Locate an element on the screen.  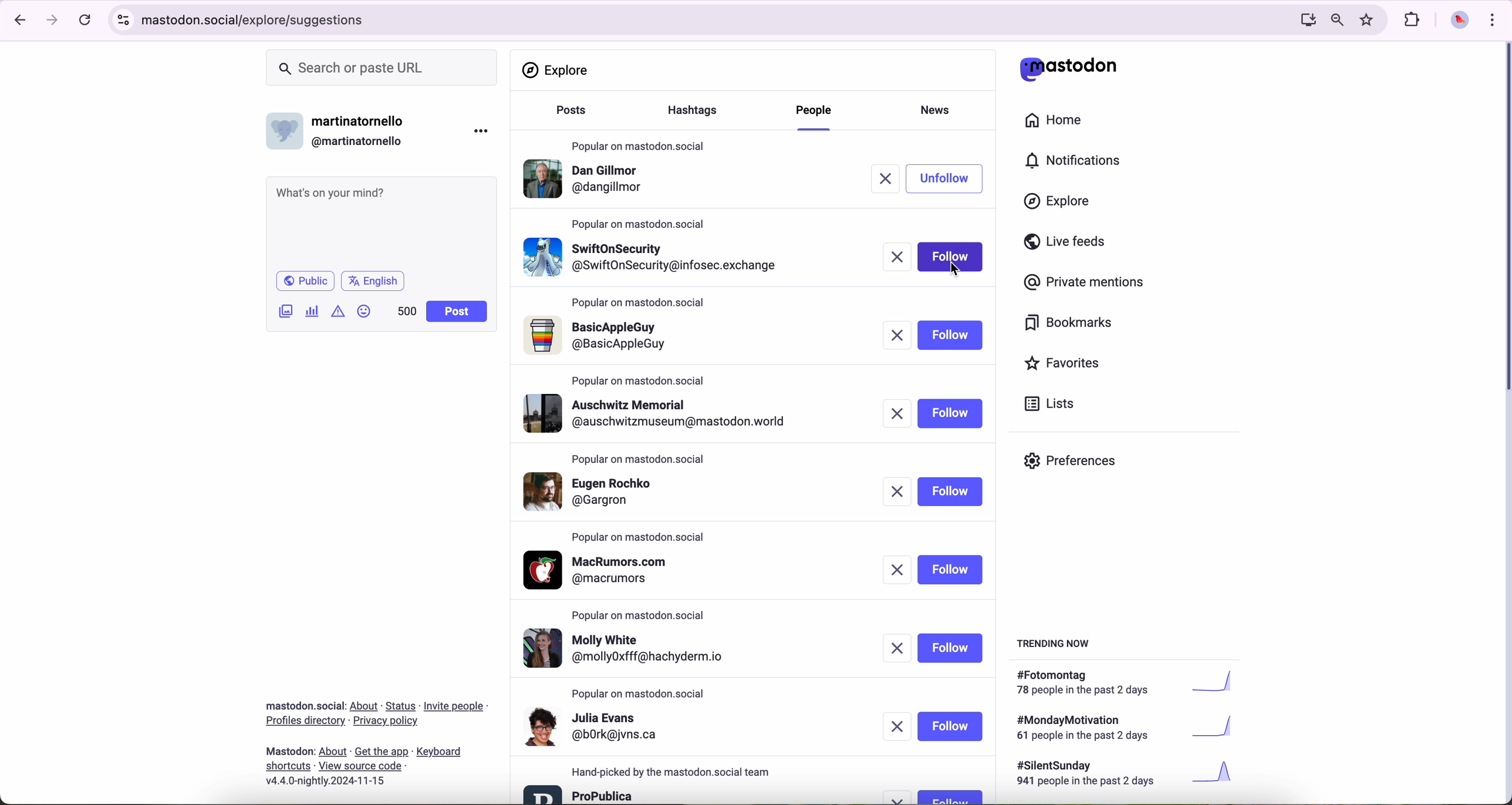
explore section is located at coordinates (558, 70).